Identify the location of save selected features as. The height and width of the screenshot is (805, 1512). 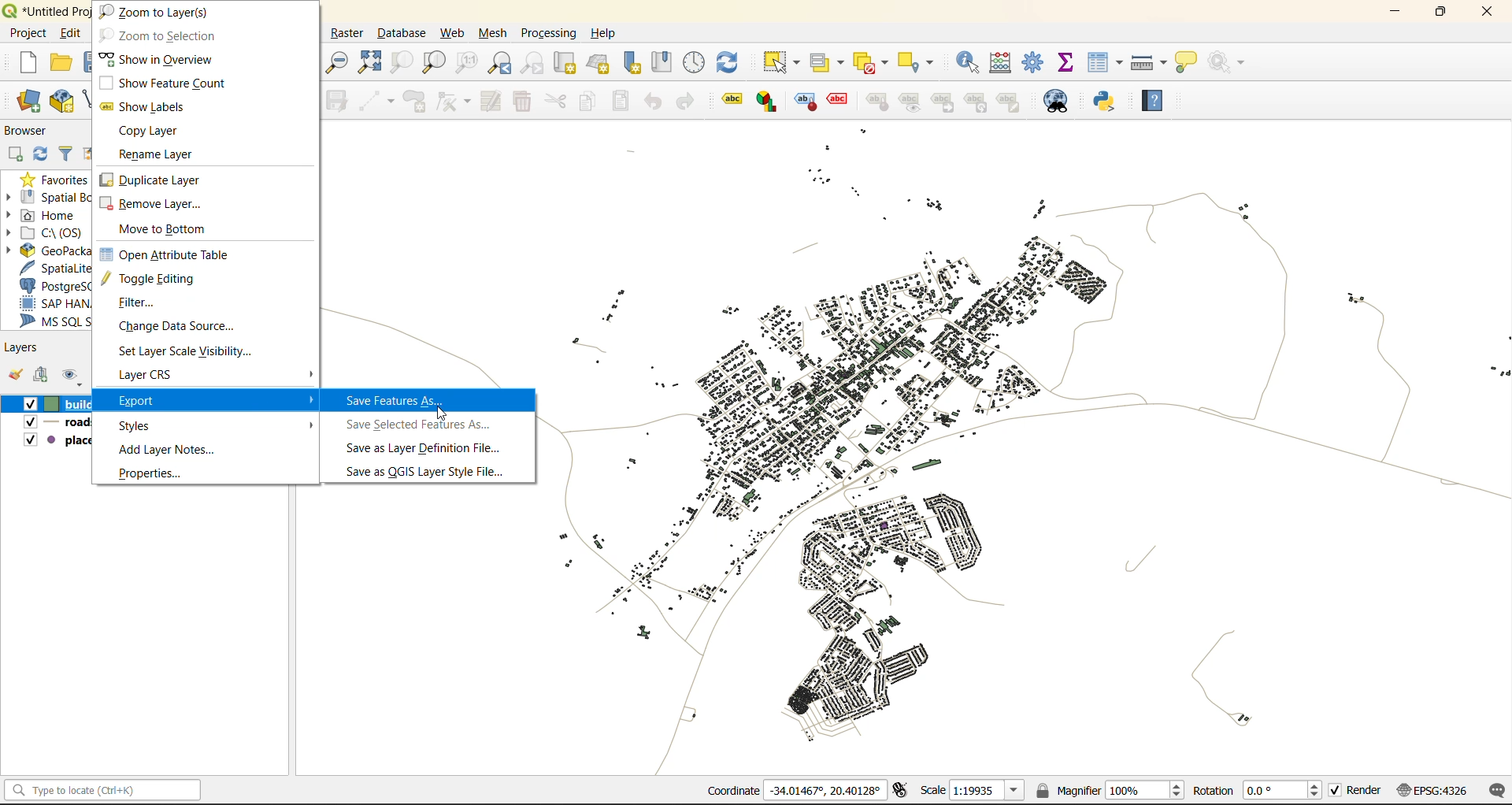
(417, 424).